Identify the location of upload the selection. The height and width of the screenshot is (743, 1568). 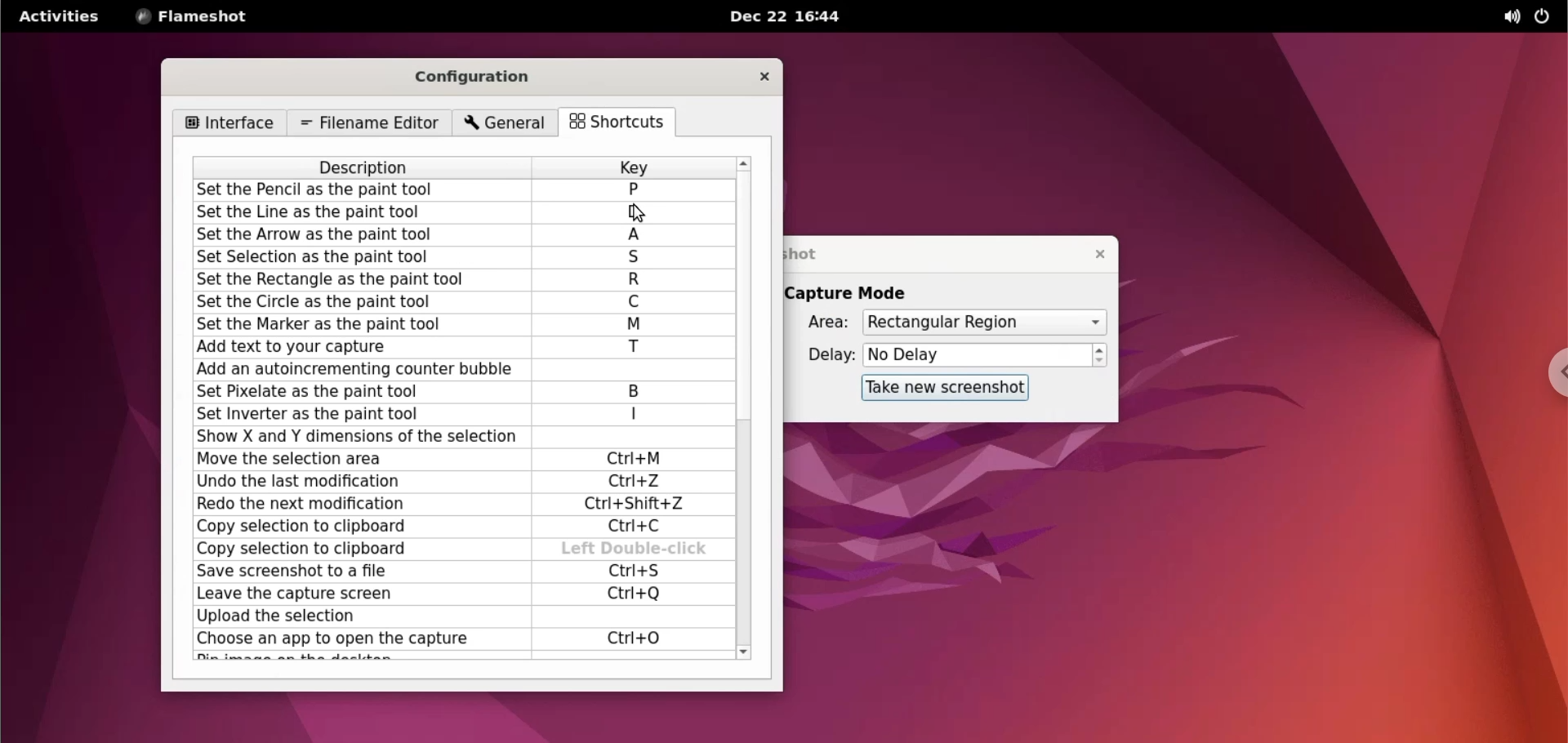
(354, 617).